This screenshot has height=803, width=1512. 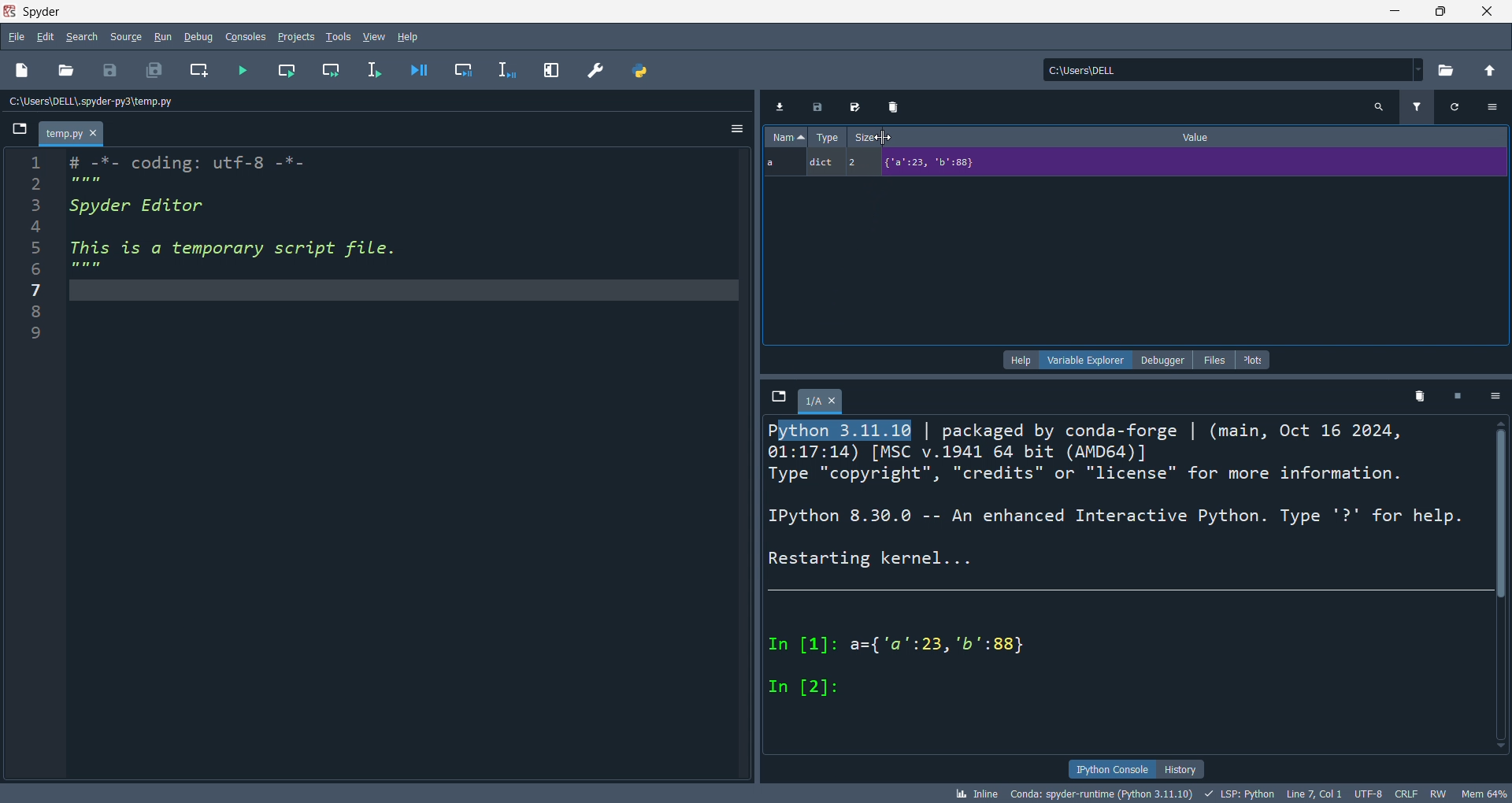 What do you see at coordinates (64, 72) in the screenshot?
I see `open file` at bounding box center [64, 72].